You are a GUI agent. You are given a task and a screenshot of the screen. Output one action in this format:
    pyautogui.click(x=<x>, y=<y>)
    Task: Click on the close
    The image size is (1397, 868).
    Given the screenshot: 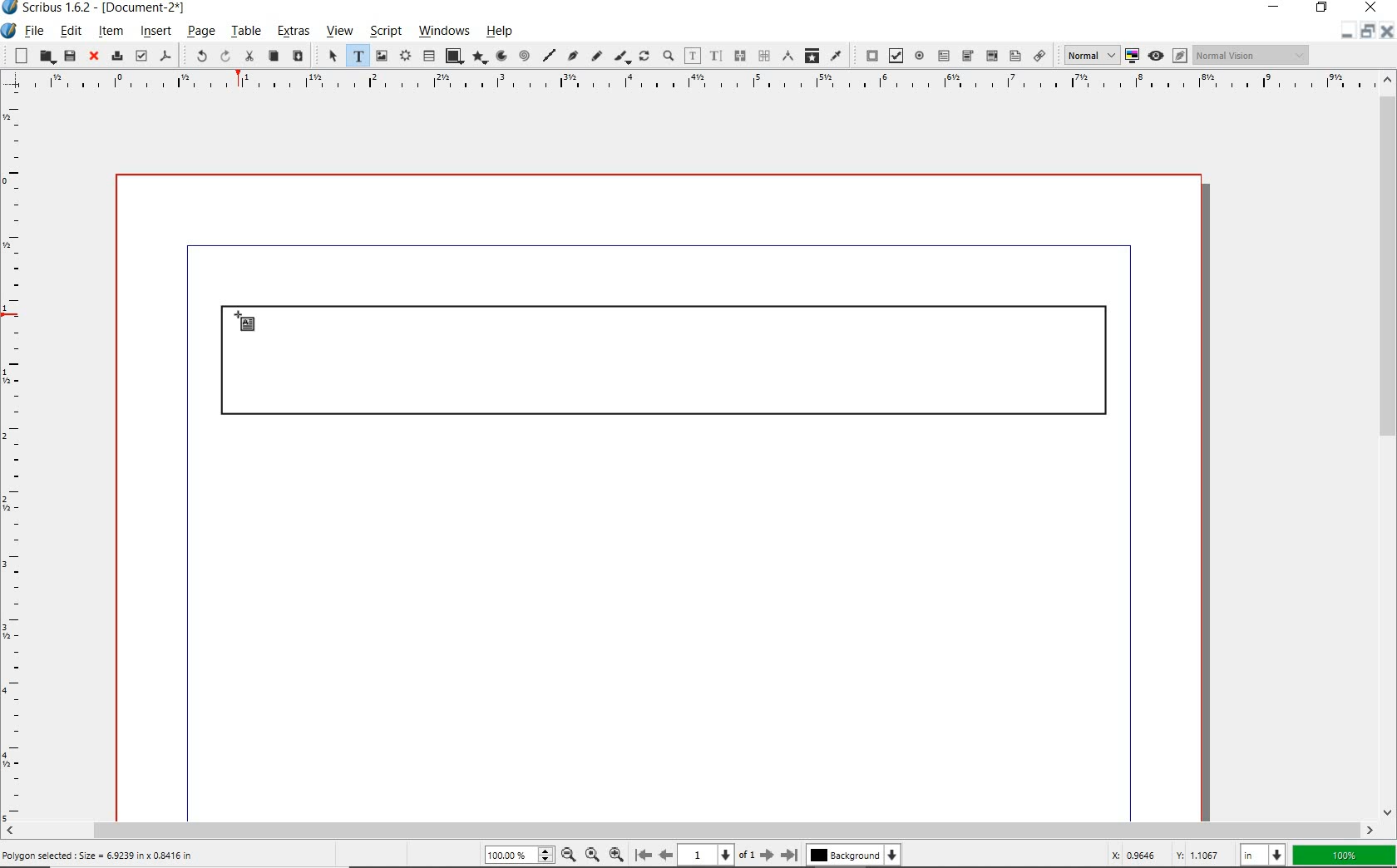 What is the action you would take?
    pyautogui.click(x=1370, y=8)
    